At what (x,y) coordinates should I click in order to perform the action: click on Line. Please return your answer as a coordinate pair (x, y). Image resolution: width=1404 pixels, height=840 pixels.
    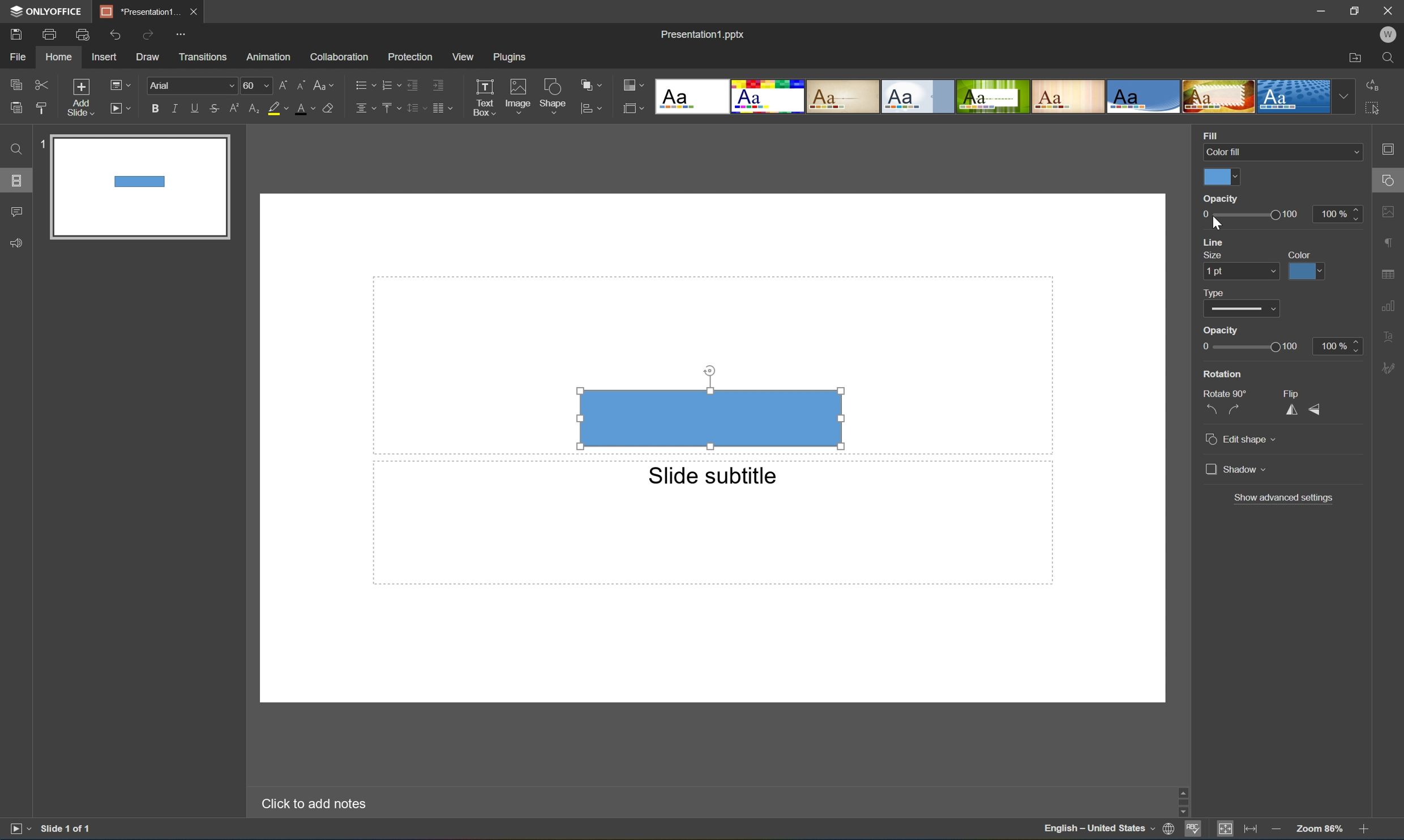
    Looking at the image, I should click on (1216, 242).